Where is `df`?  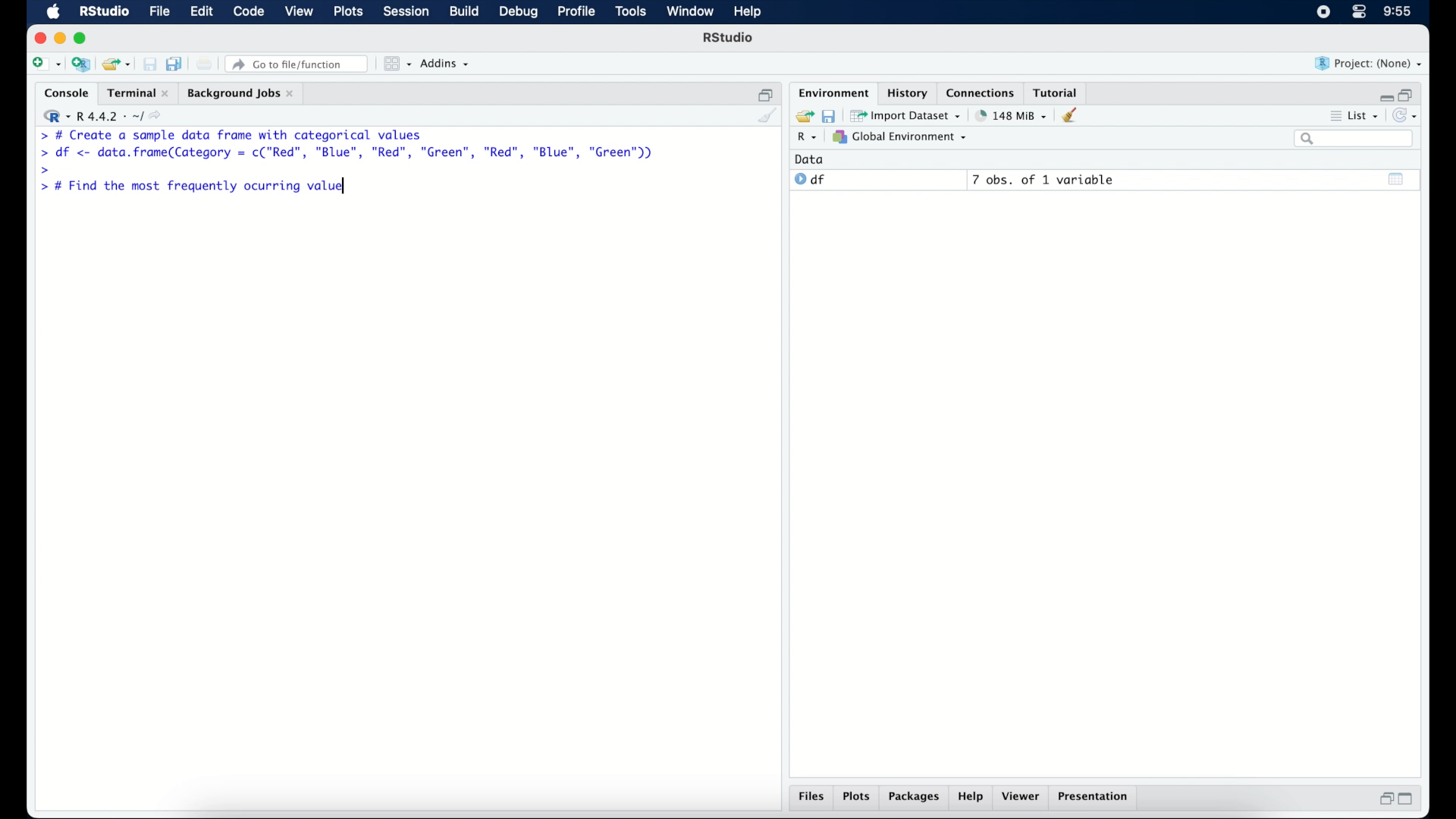 df is located at coordinates (811, 180).